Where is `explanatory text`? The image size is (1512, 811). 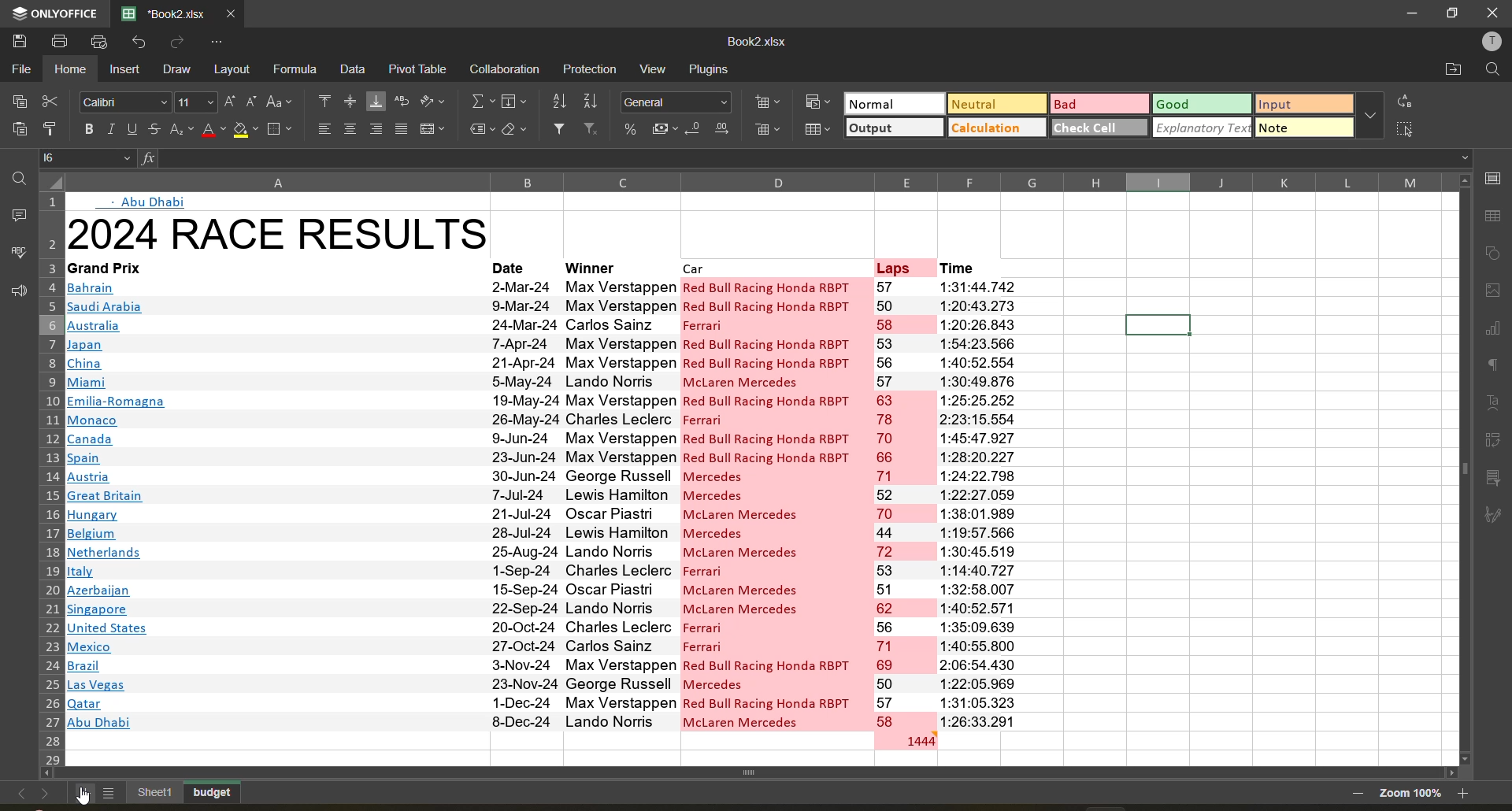 explanatory text is located at coordinates (1202, 128).